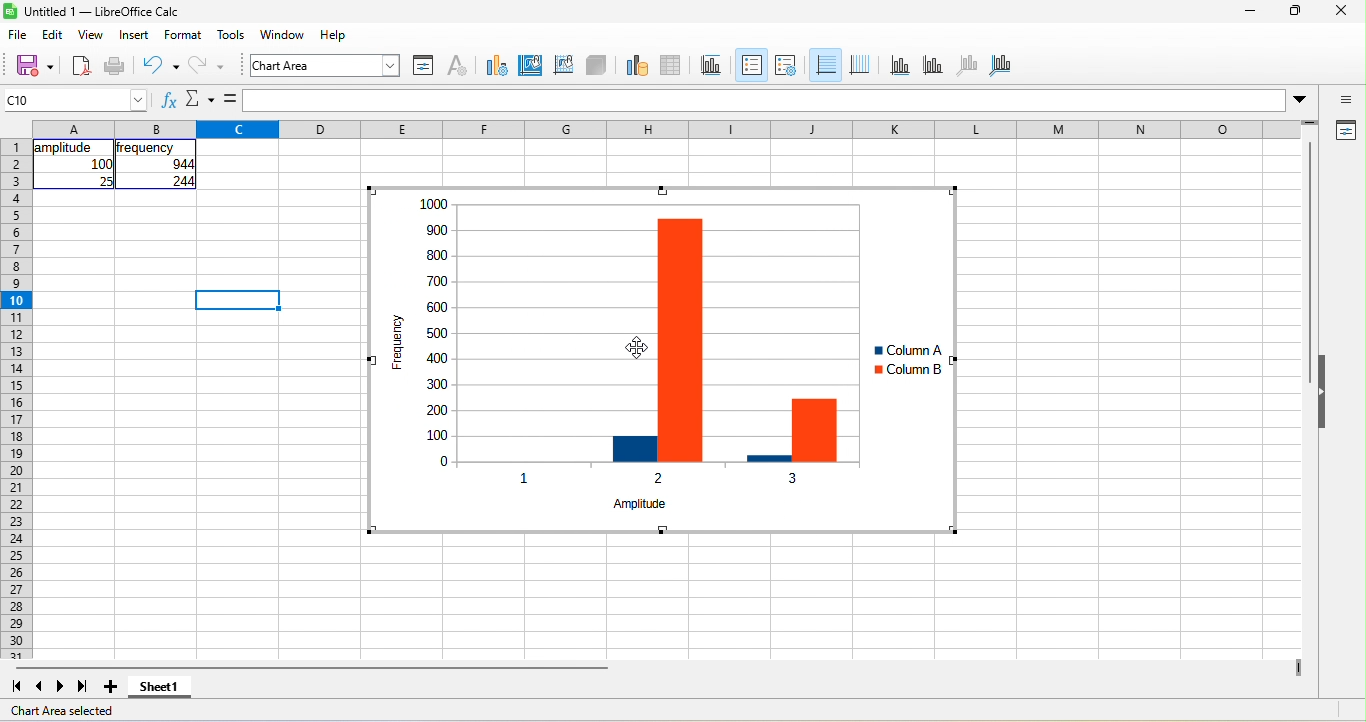 The height and width of the screenshot is (722, 1366). What do you see at coordinates (900, 66) in the screenshot?
I see `x axis` at bounding box center [900, 66].